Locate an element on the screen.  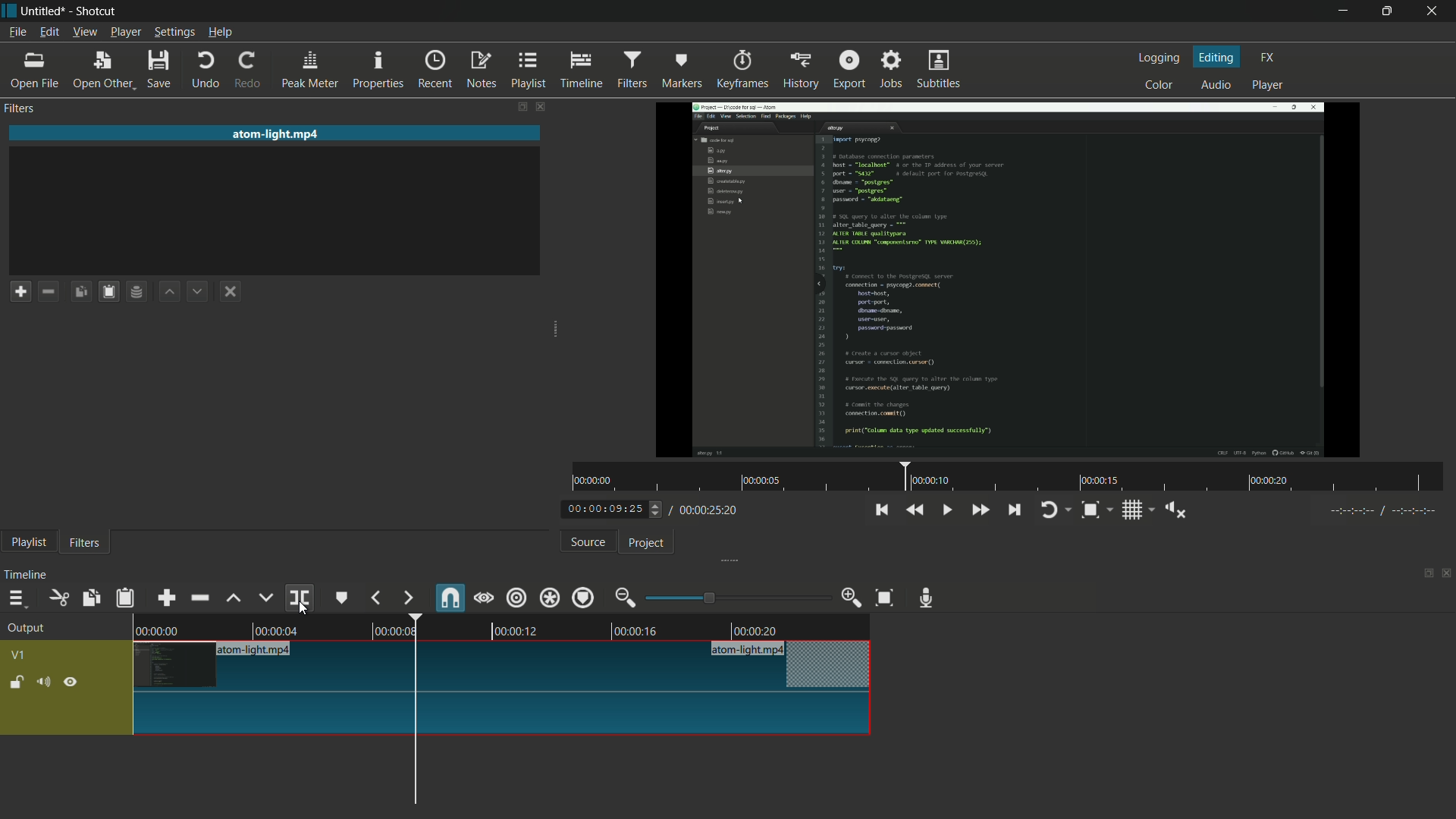
hide is located at coordinates (72, 681).